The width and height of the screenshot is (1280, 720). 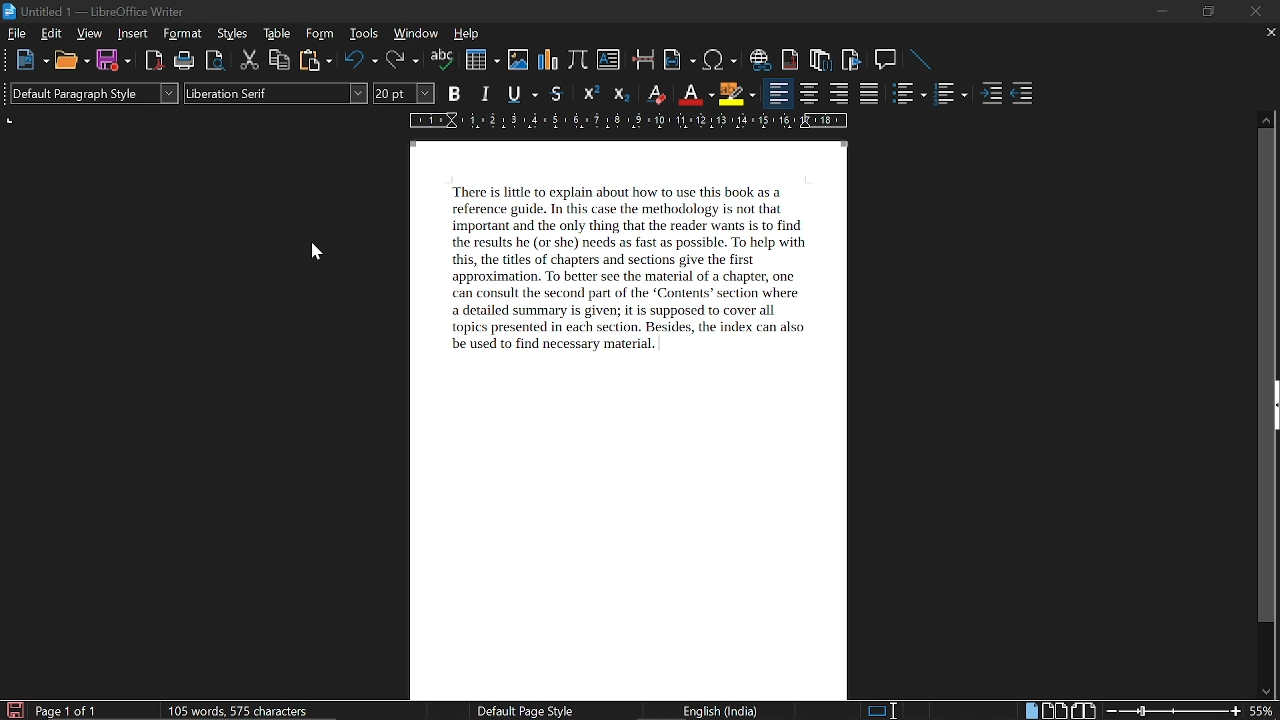 I want to click on insert chart, so click(x=481, y=59).